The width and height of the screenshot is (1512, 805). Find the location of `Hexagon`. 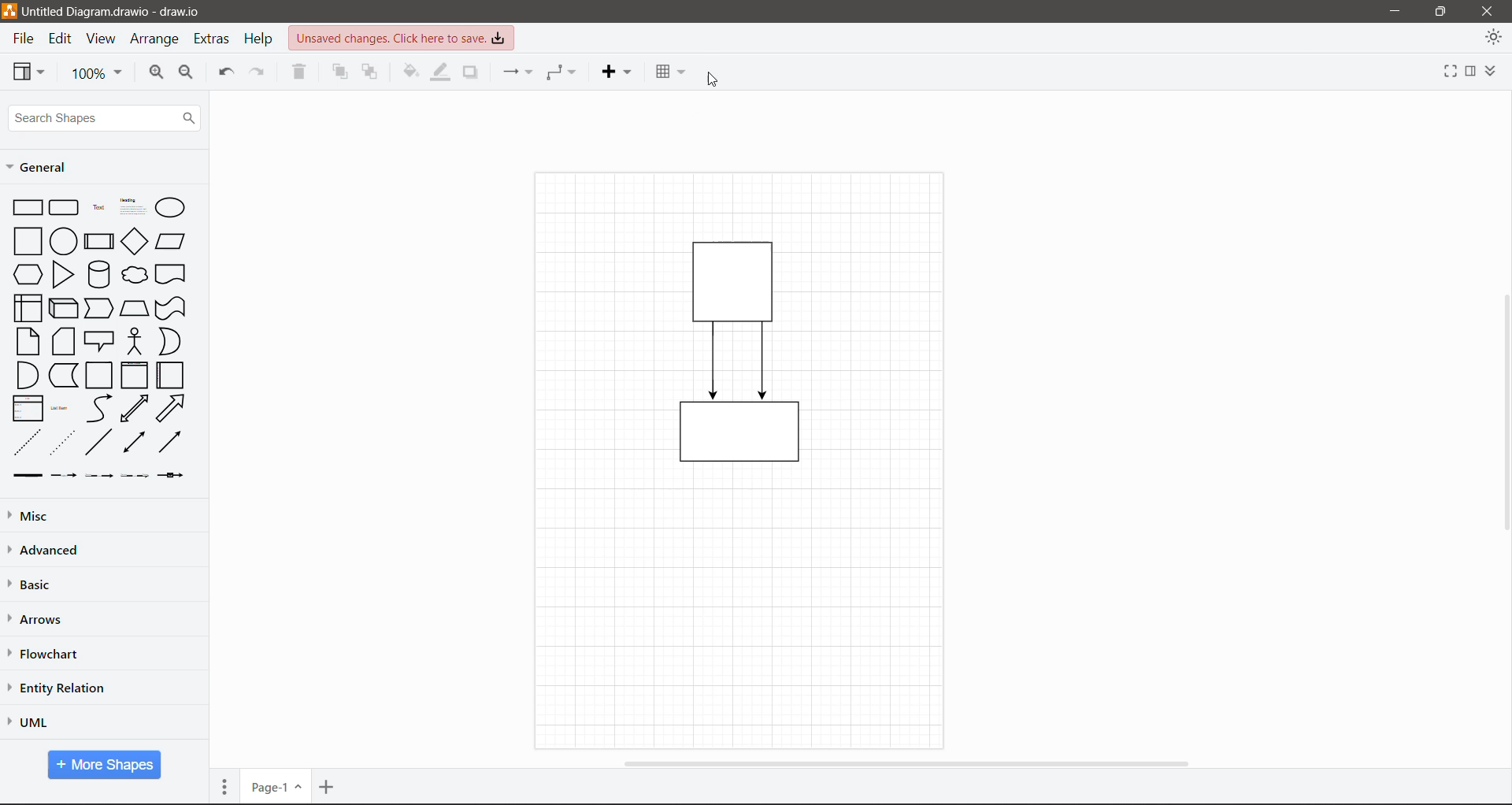

Hexagon is located at coordinates (27, 273).